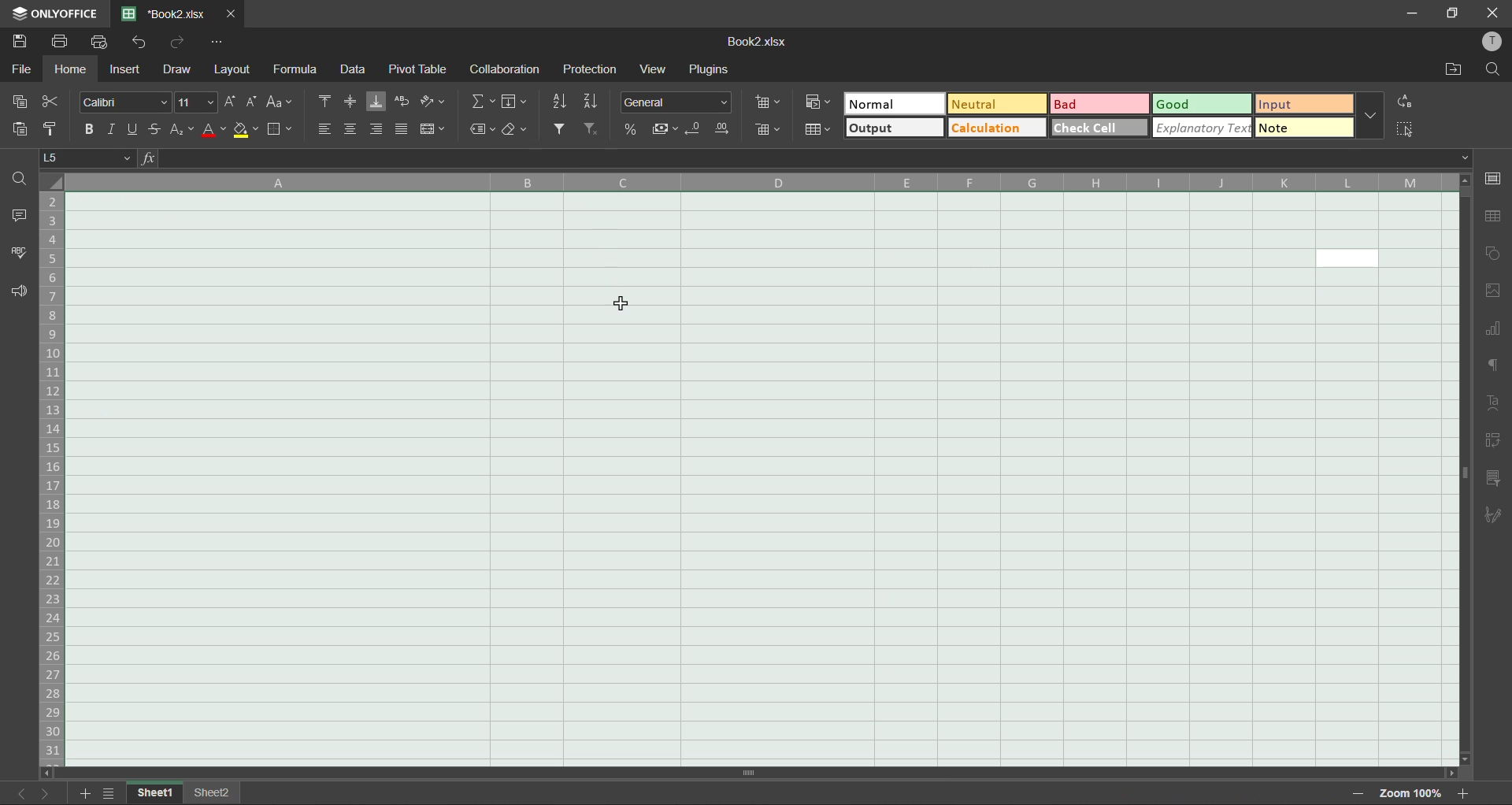 The height and width of the screenshot is (805, 1512). Describe the element at coordinates (379, 129) in the screenshot. I see `align right` at that location.